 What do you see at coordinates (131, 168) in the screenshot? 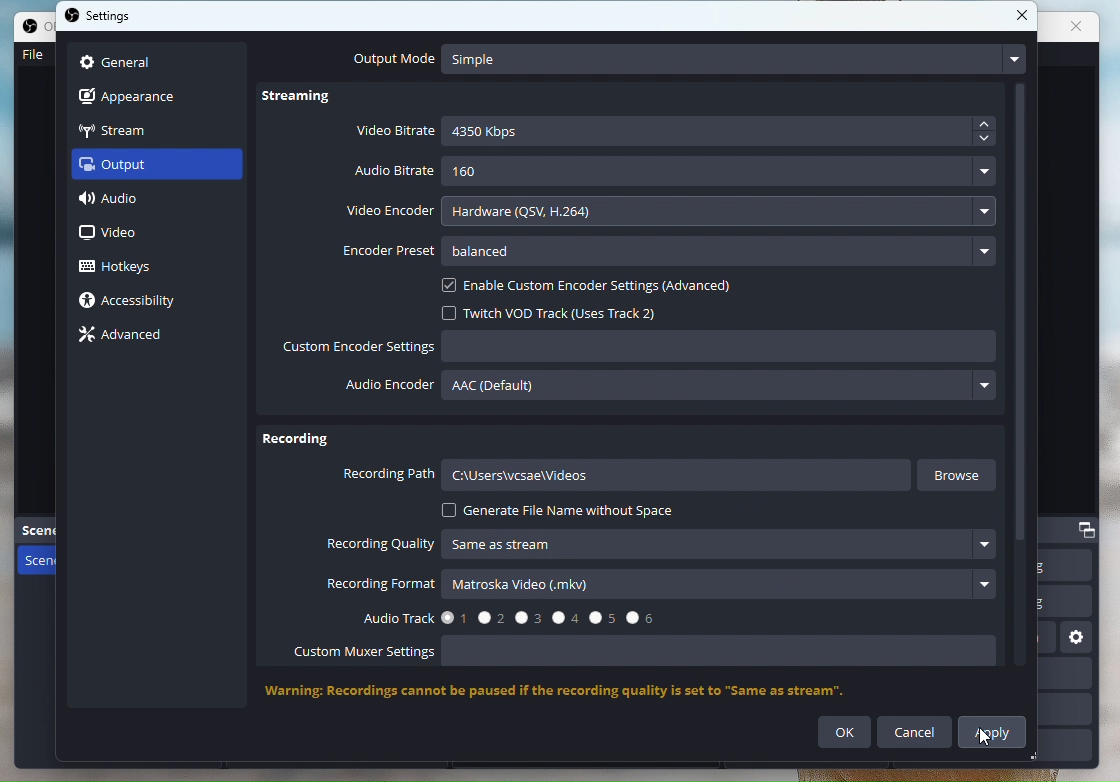
I see `output` at bounding box center [131, 168].